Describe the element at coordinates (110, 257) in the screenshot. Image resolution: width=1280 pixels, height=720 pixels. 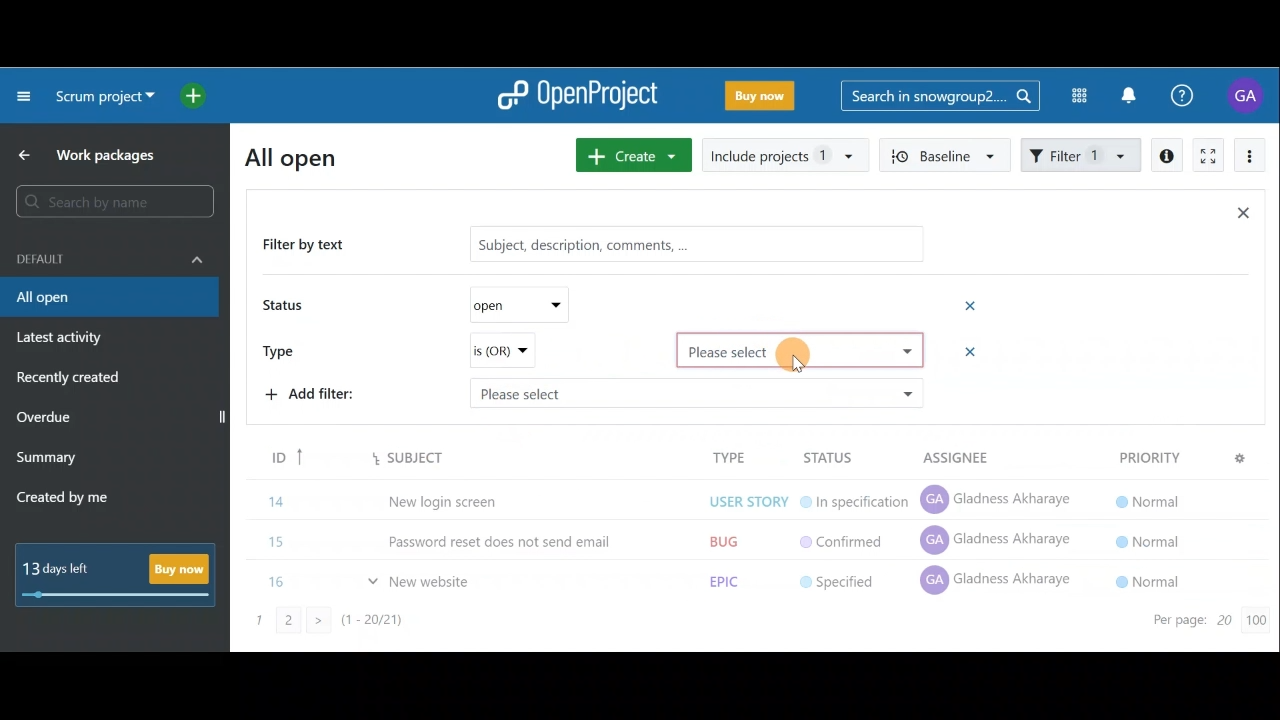
I see `Default` at that location.